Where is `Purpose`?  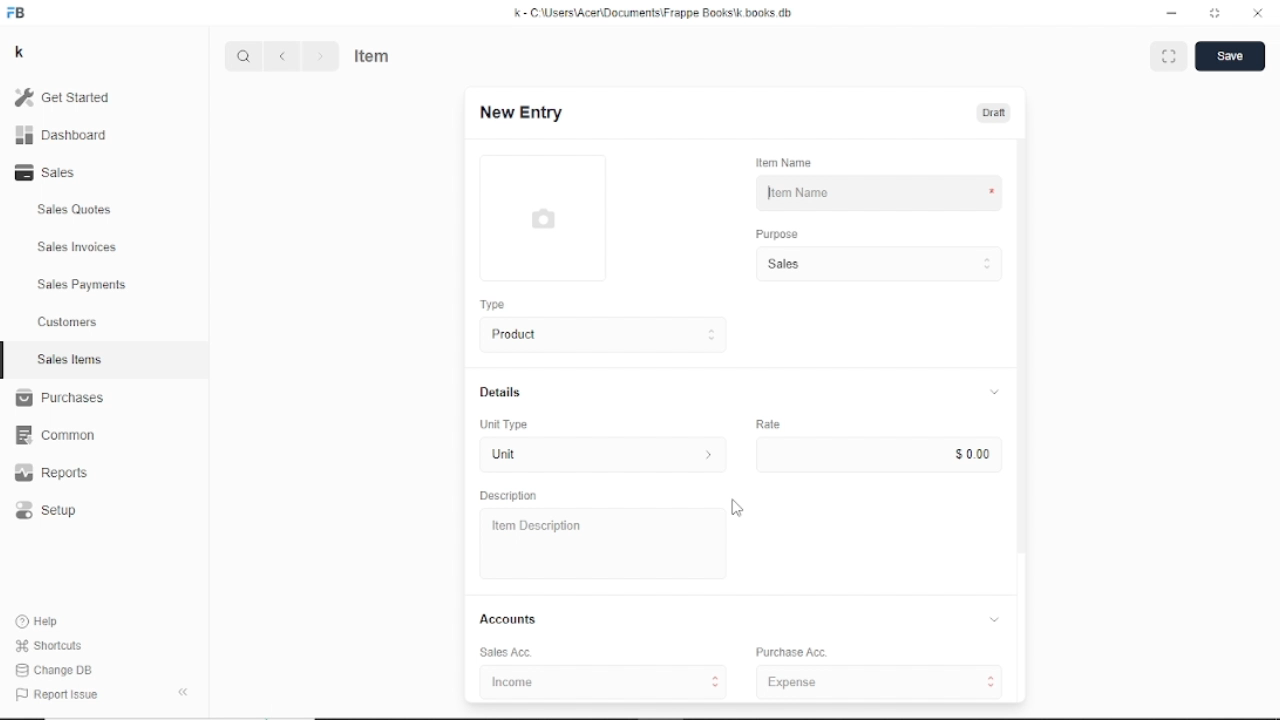
Purpose is located at coordinates (775, 233).